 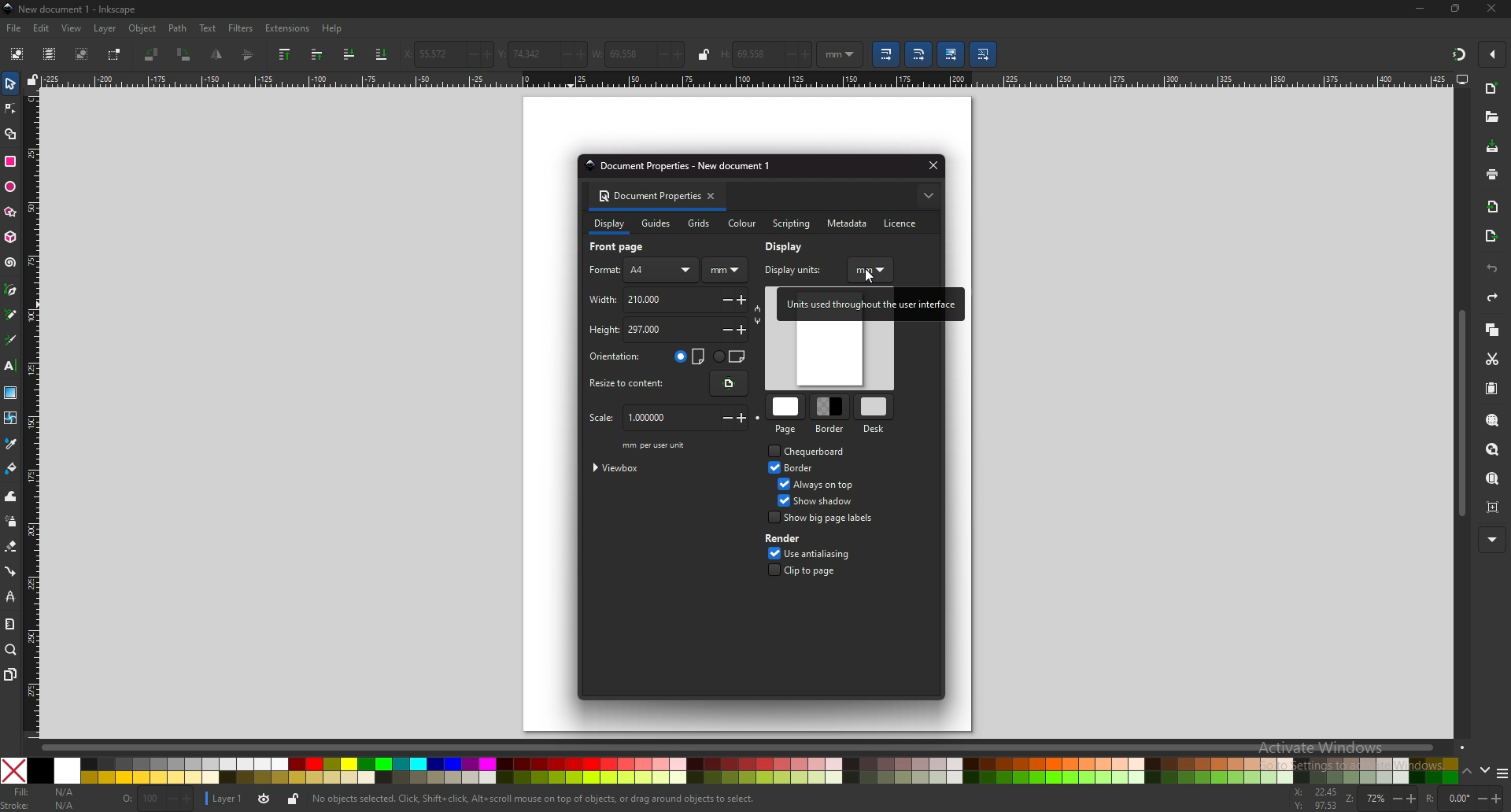 What do you see at coordinates (1462, 414) in the screenshot?
I see `scroll bar` at bounding box center [1462, 414].